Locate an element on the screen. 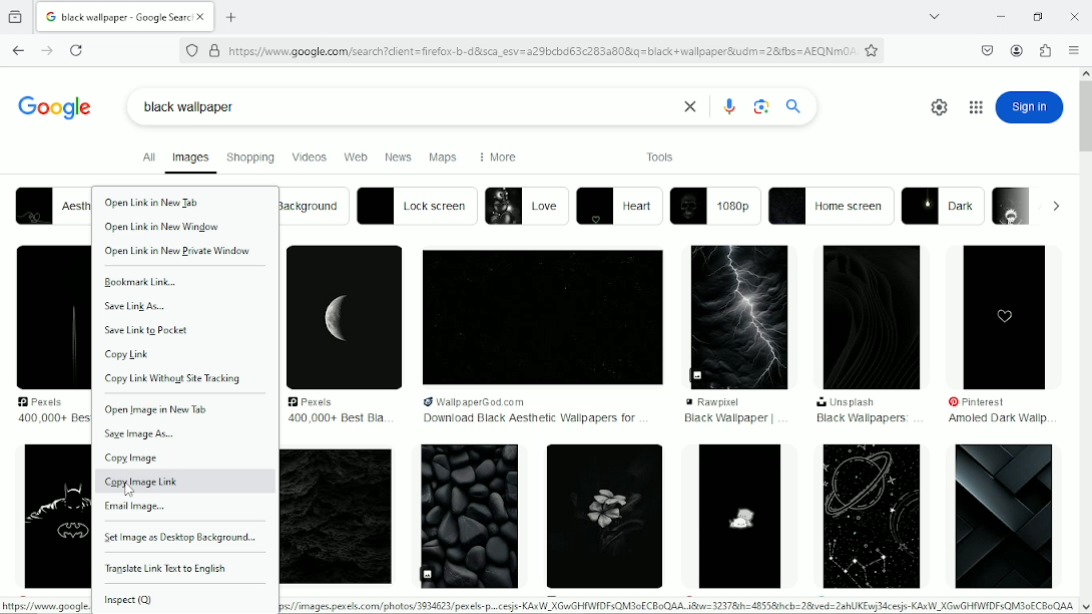 This screenshot has width=1092, height=614. black image is located at coordinates (742, 315).